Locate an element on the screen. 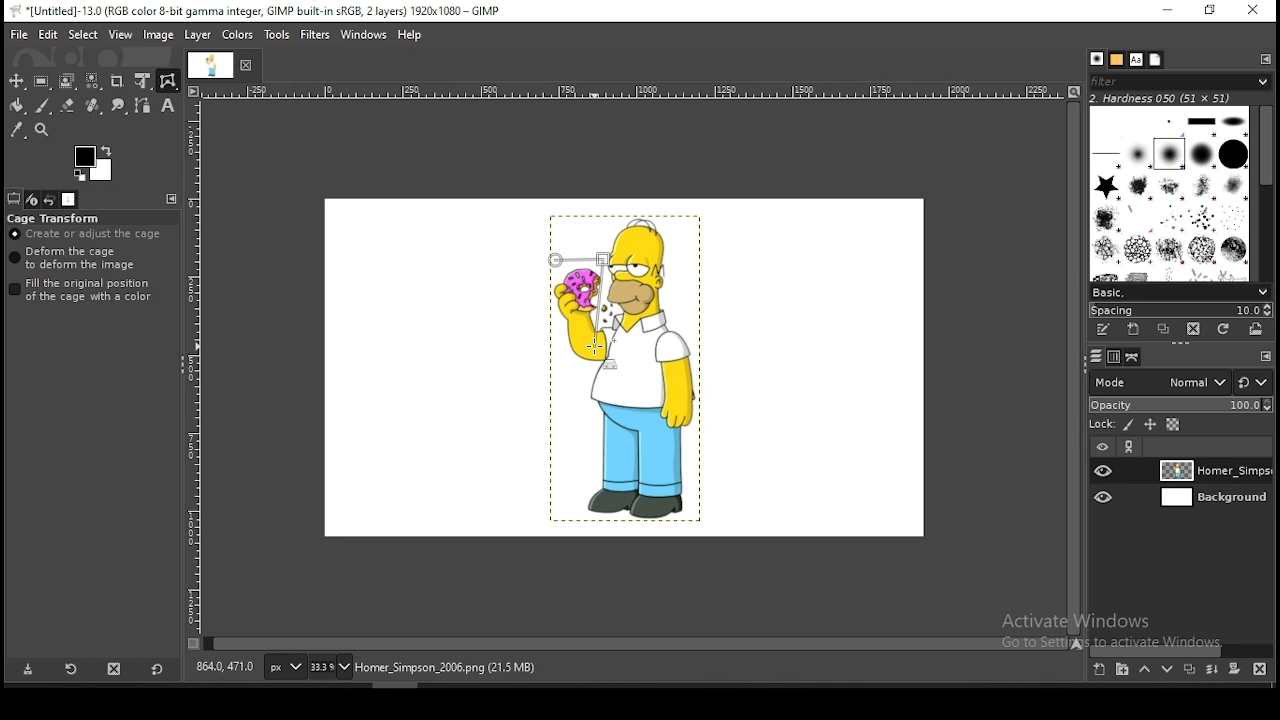 This screenshot has width=1280, height=720. lock alpha channel is located at coordinates (1172, 426).